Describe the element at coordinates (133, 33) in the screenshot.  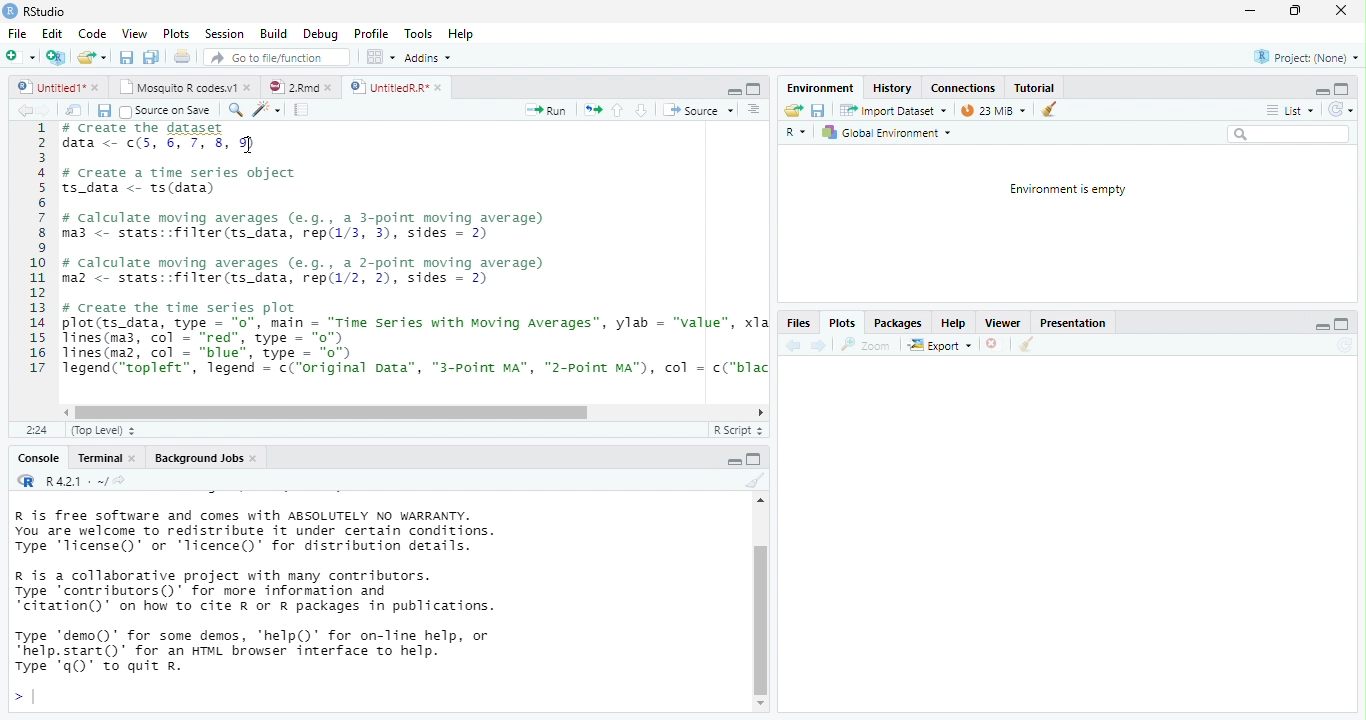
I see `View` at that location.